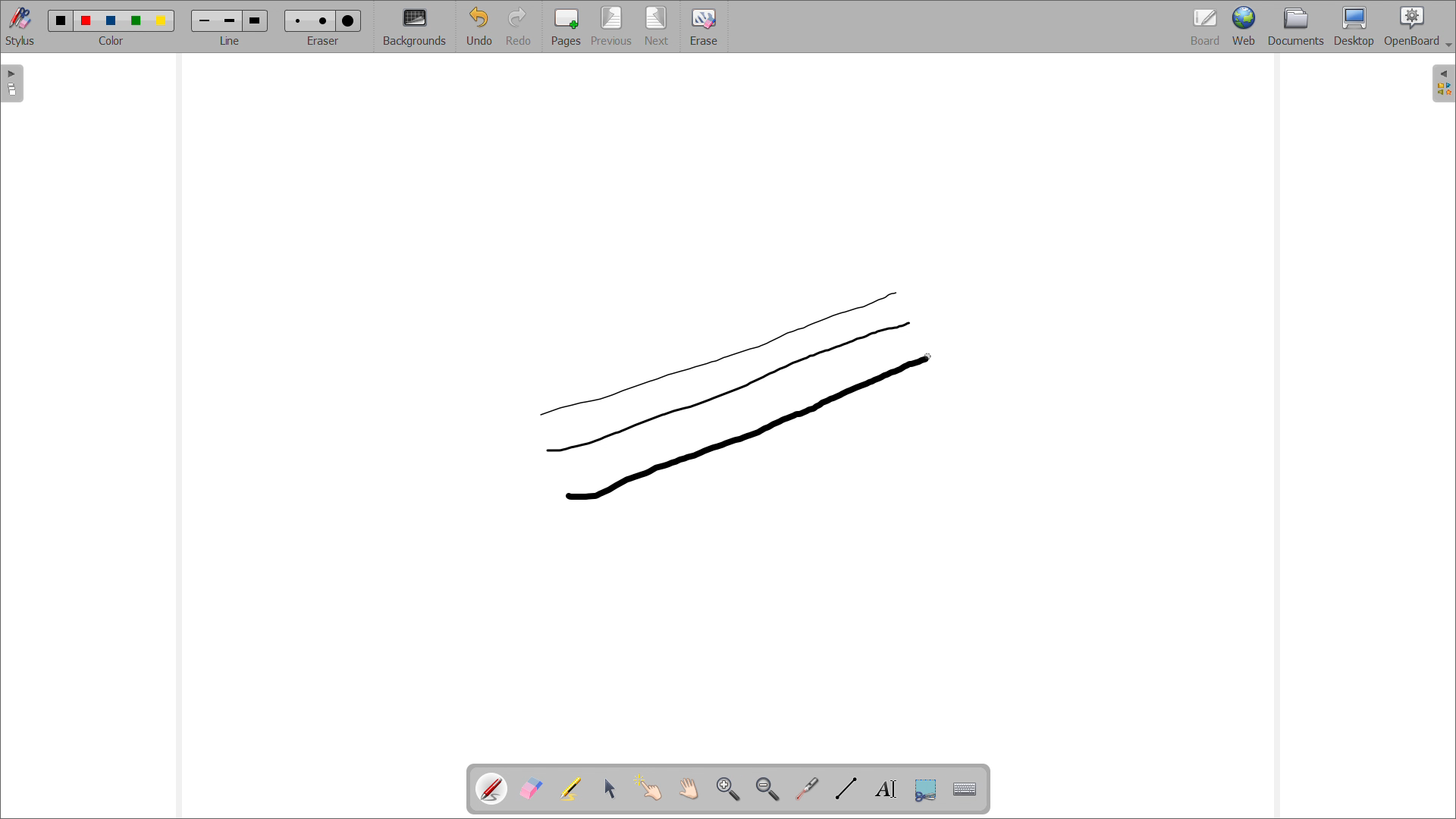 The image size is (1456, 819). I want to click on Eraser size, so click(299, 20).